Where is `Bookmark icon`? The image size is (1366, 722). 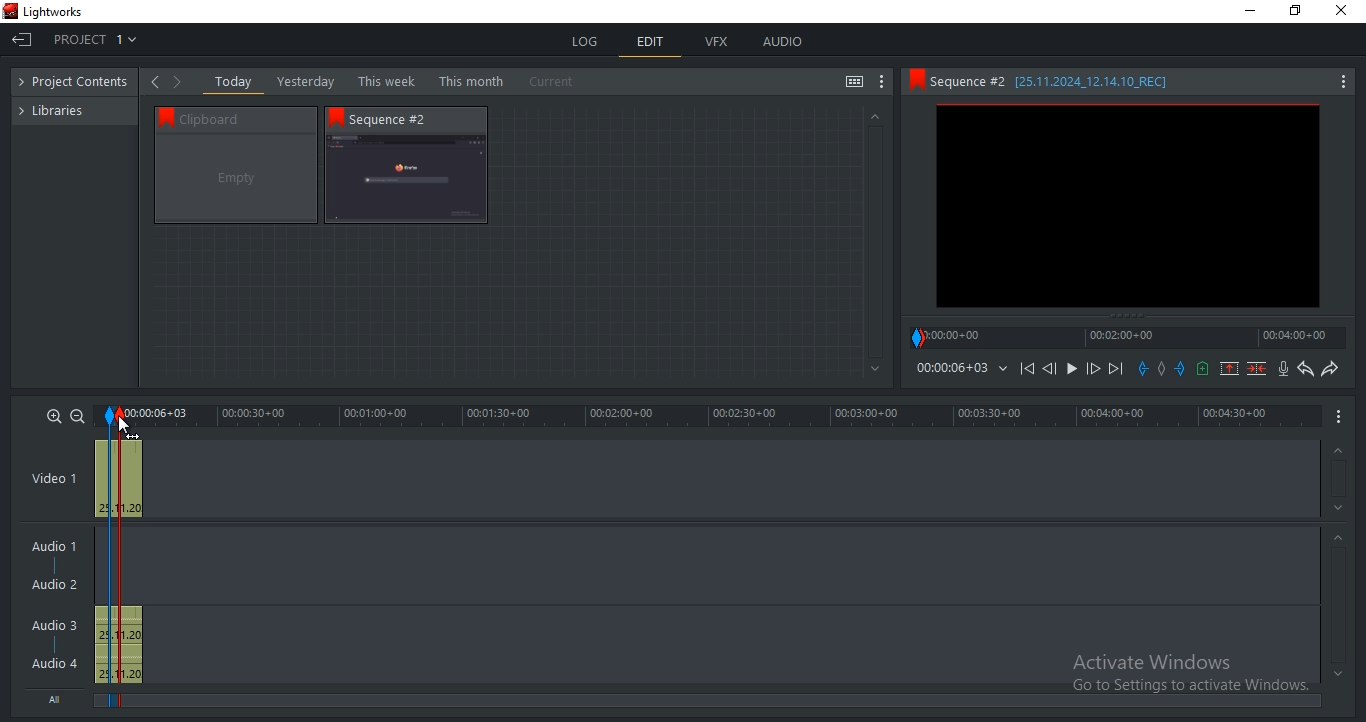
Bookmark icon is located at coordinates (915, 80).